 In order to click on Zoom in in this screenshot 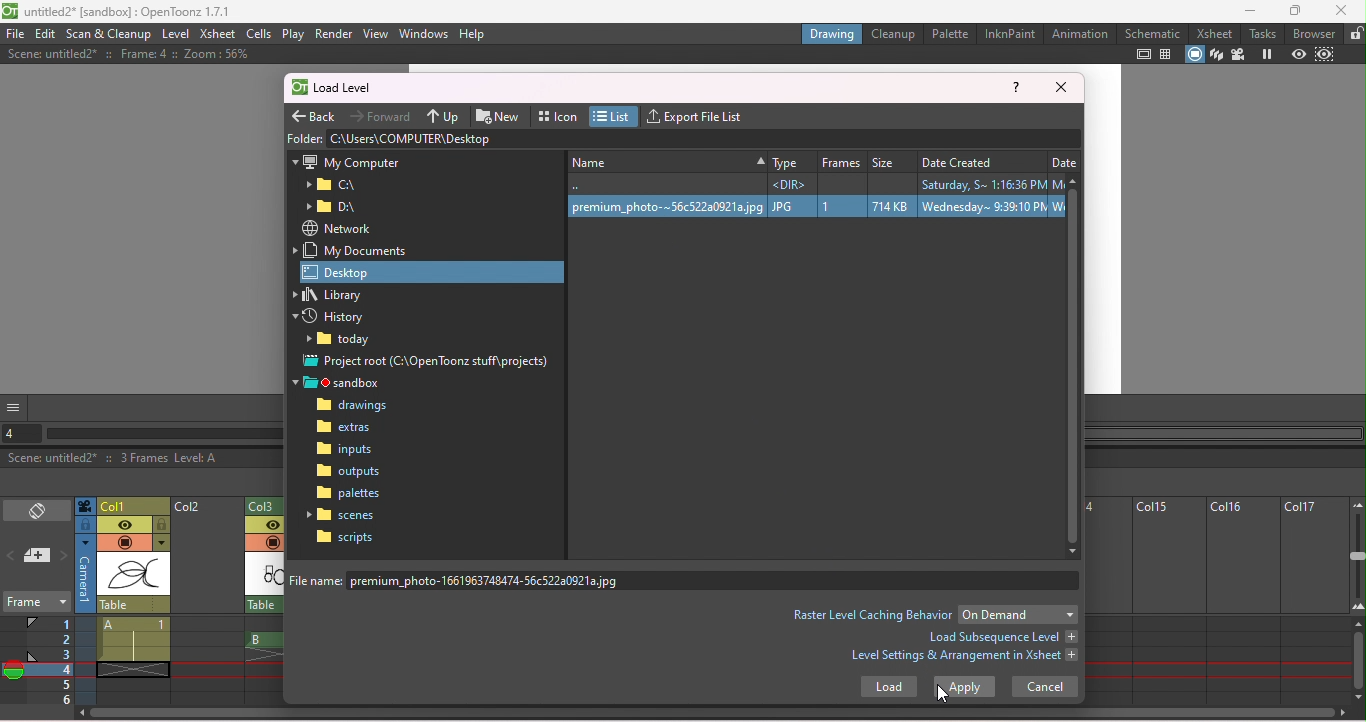, I will do `click(1357, 610)`.